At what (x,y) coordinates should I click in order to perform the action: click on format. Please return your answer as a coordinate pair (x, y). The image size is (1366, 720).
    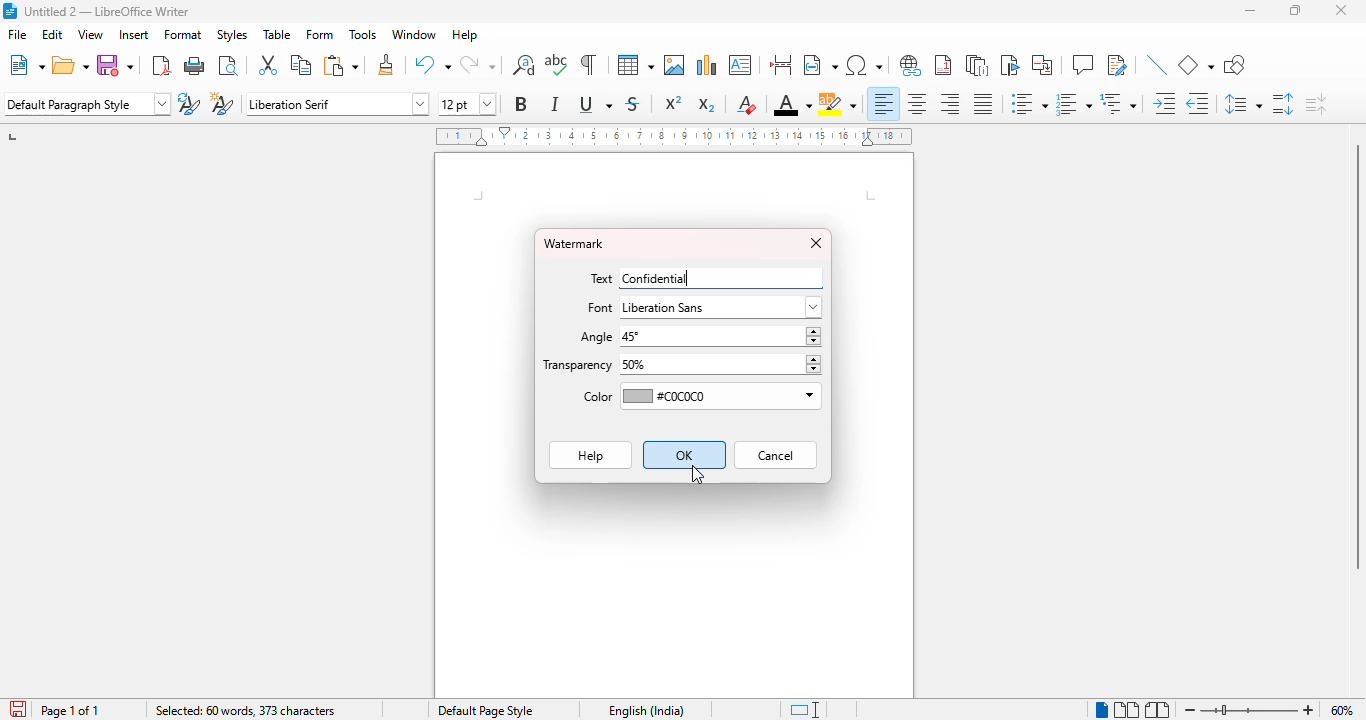
    Looking at the image, I should click on (184, 34).